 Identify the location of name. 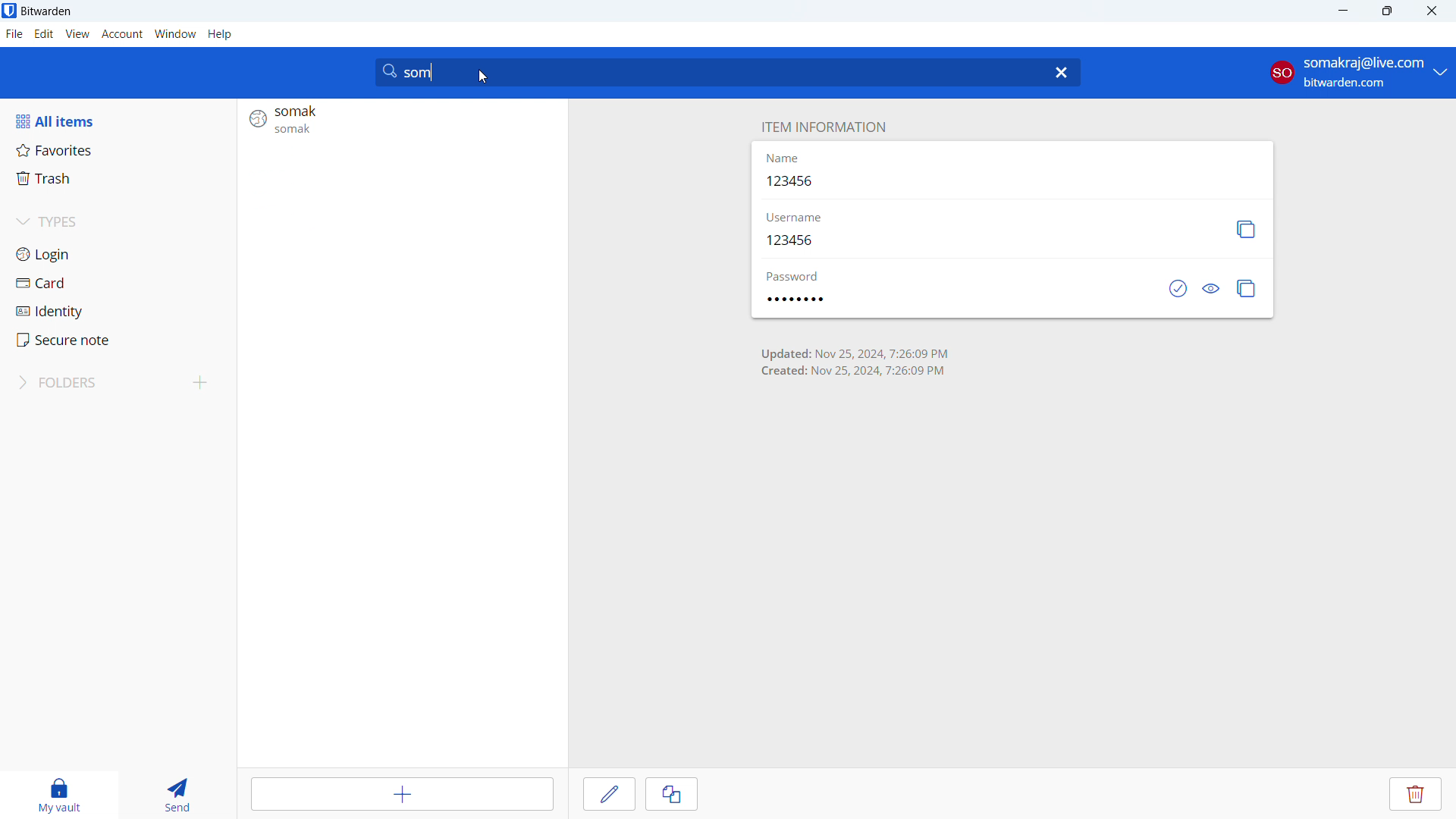
(783, 160).